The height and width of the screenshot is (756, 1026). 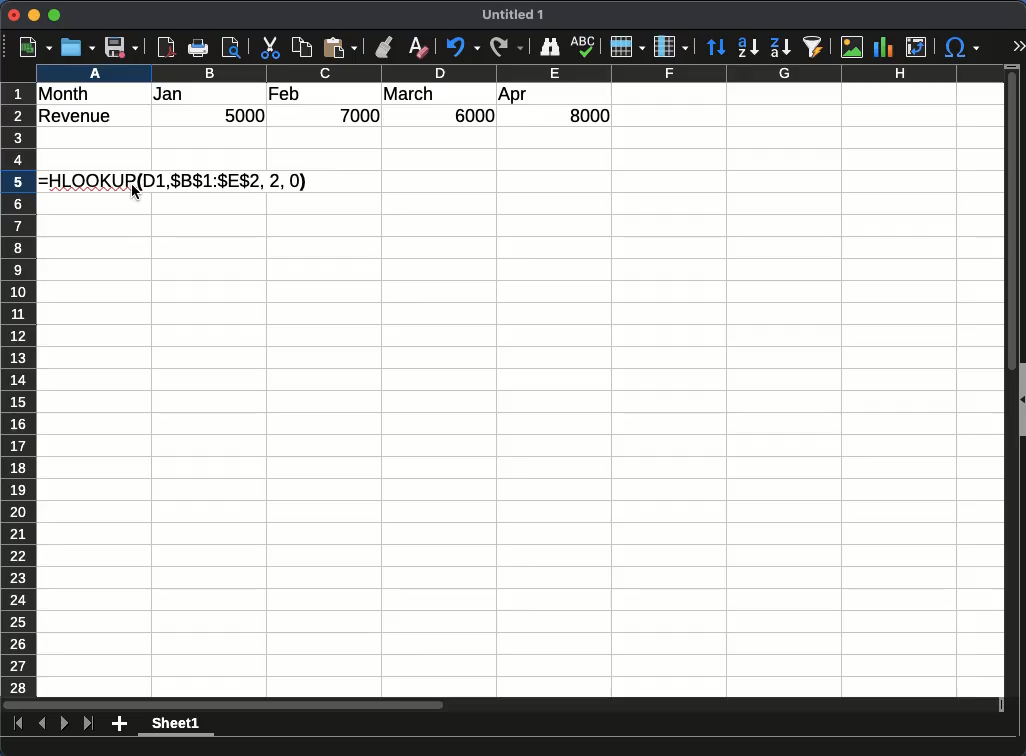 What do you see at coordinates (34, 15) in the screenshot?
I see `minimize` at bounding box center [34, 15].